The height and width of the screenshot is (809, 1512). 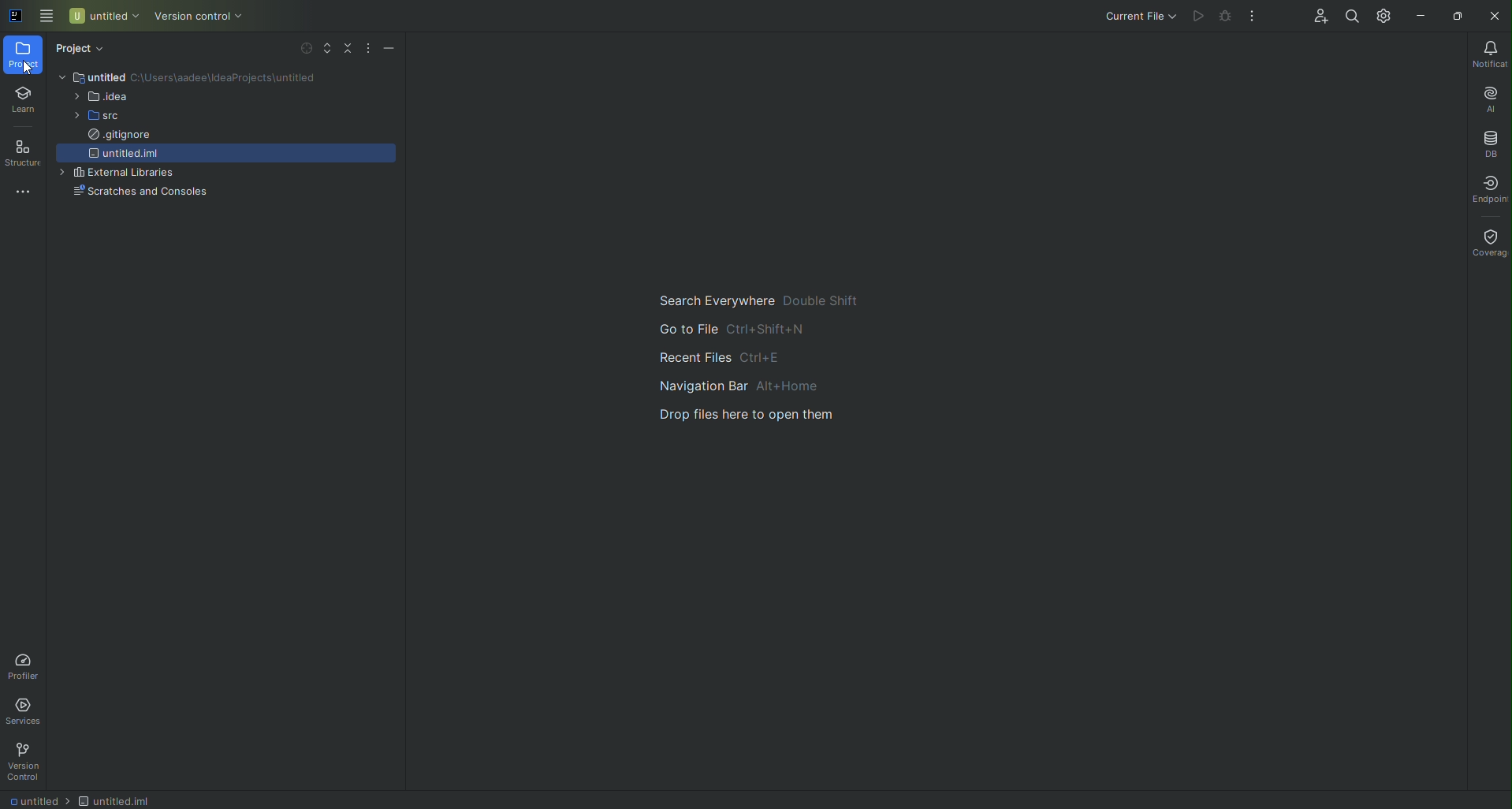 What do you see at coordinates (39, 799) in the screenshot?
I see `Untitled` at bounding box center [39, 799].